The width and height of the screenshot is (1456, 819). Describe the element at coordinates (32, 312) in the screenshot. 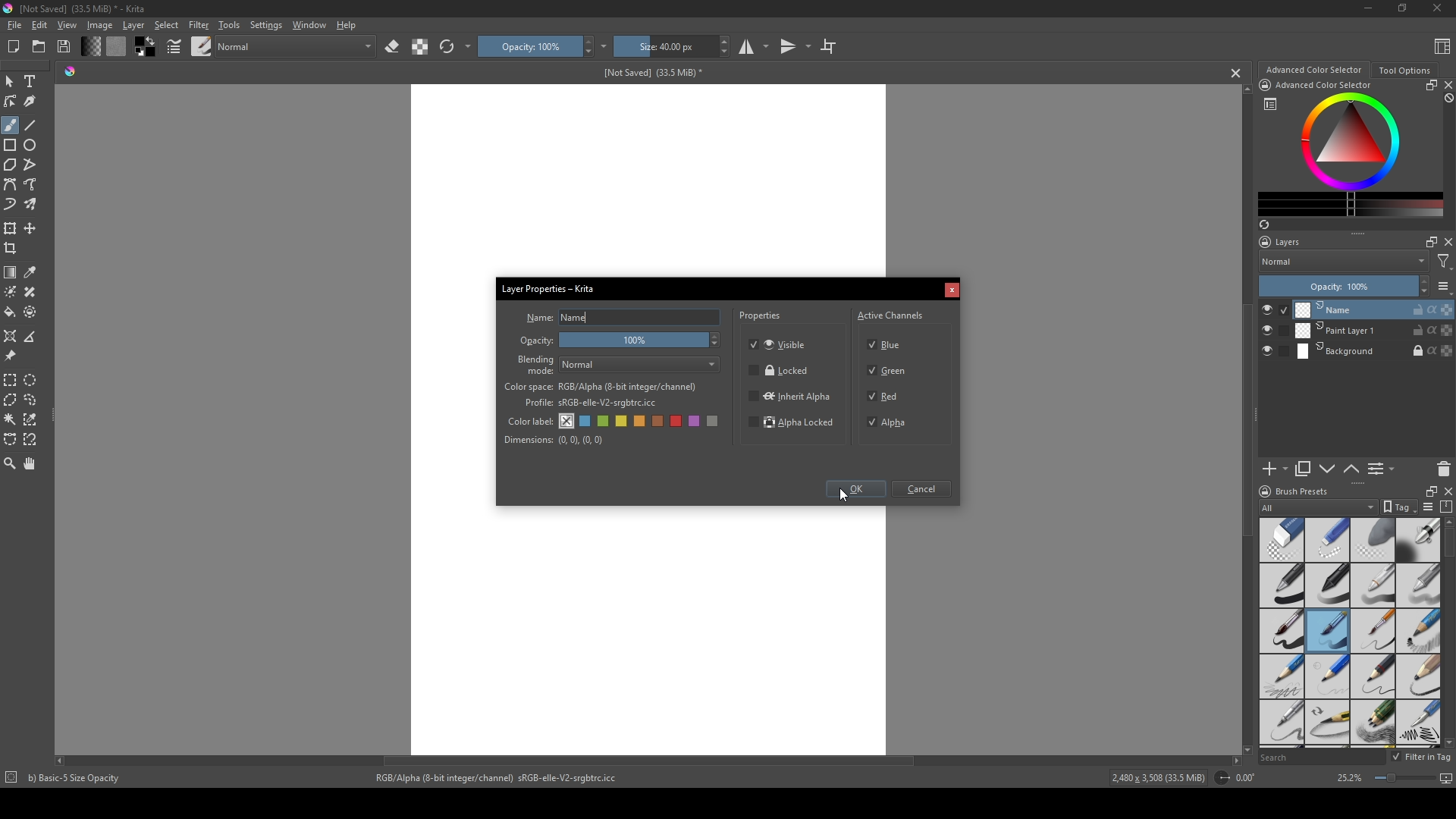

I see `enclose and fill` at that location.